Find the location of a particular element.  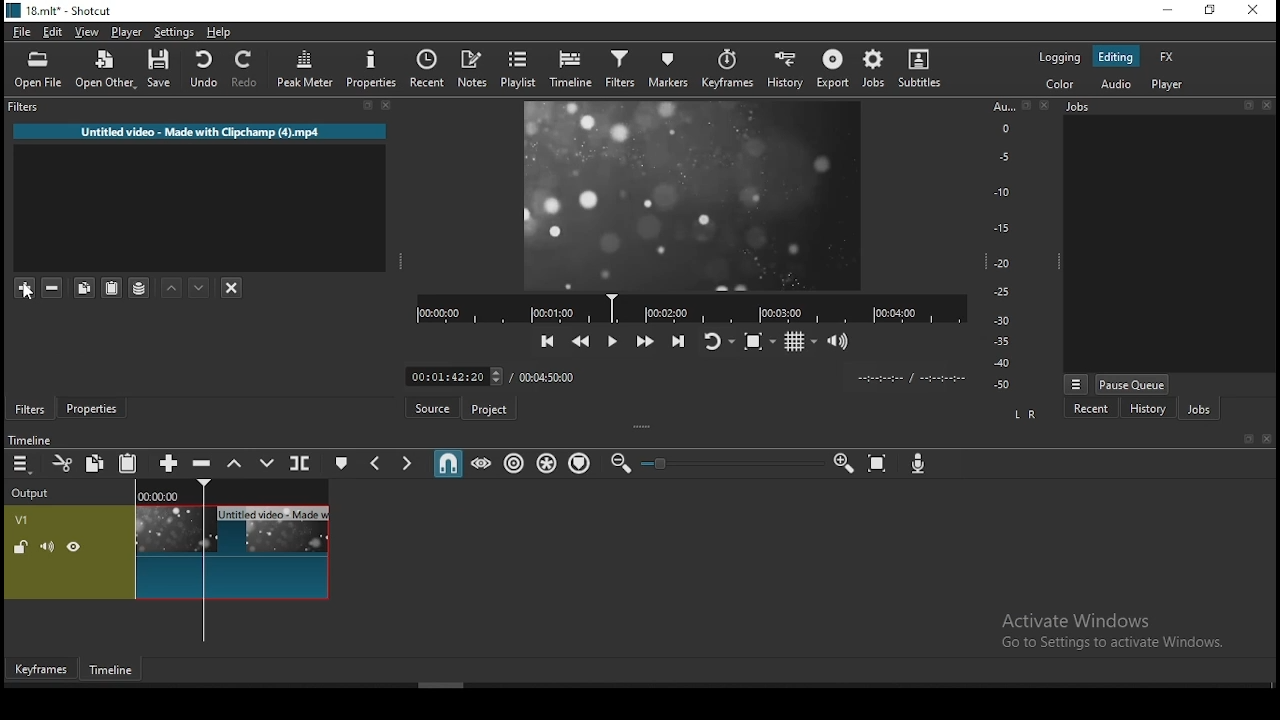

logging is located at coordinates (1057, 59).